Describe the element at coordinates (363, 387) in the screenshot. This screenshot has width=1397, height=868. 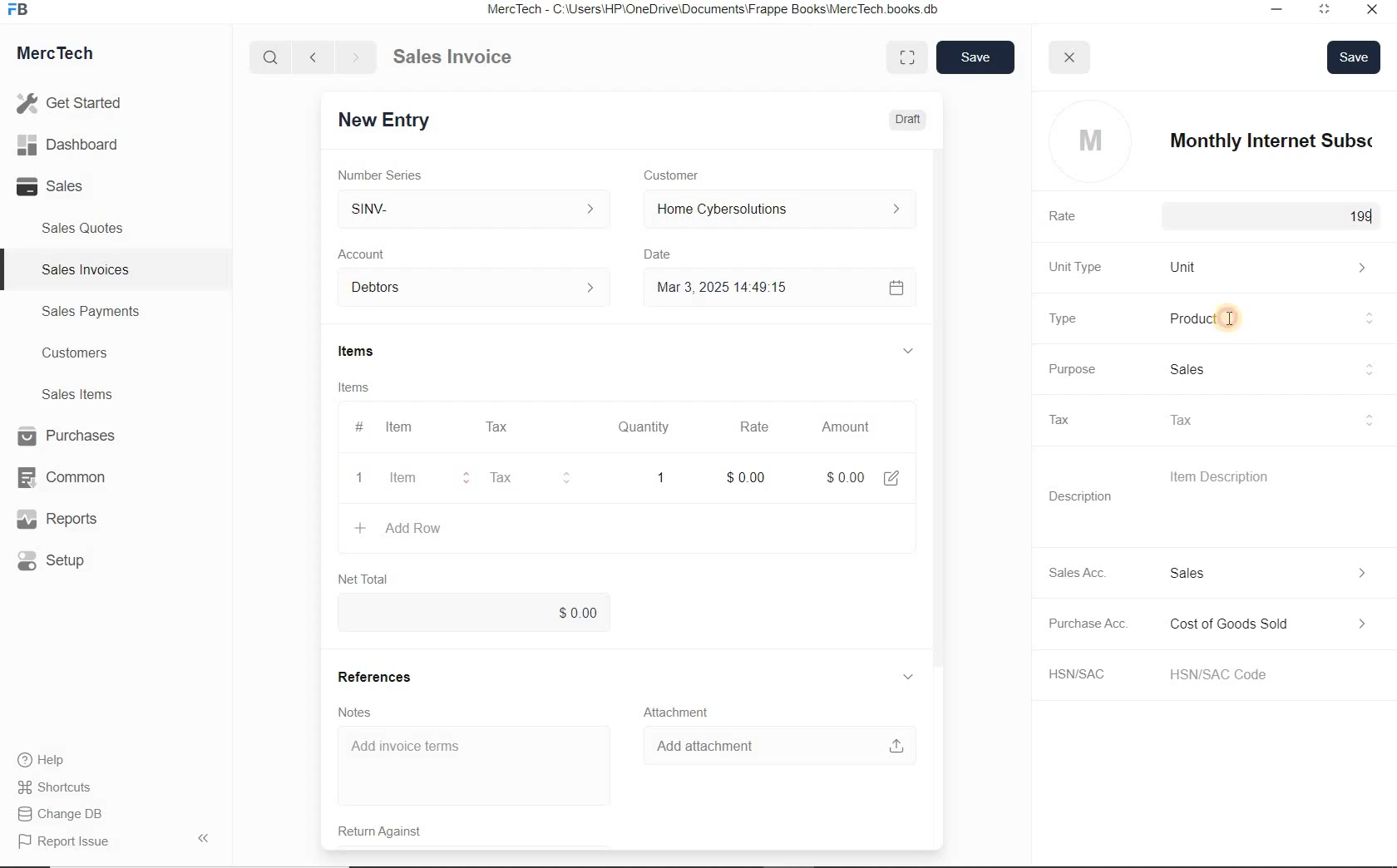
I see `Items` at that location.